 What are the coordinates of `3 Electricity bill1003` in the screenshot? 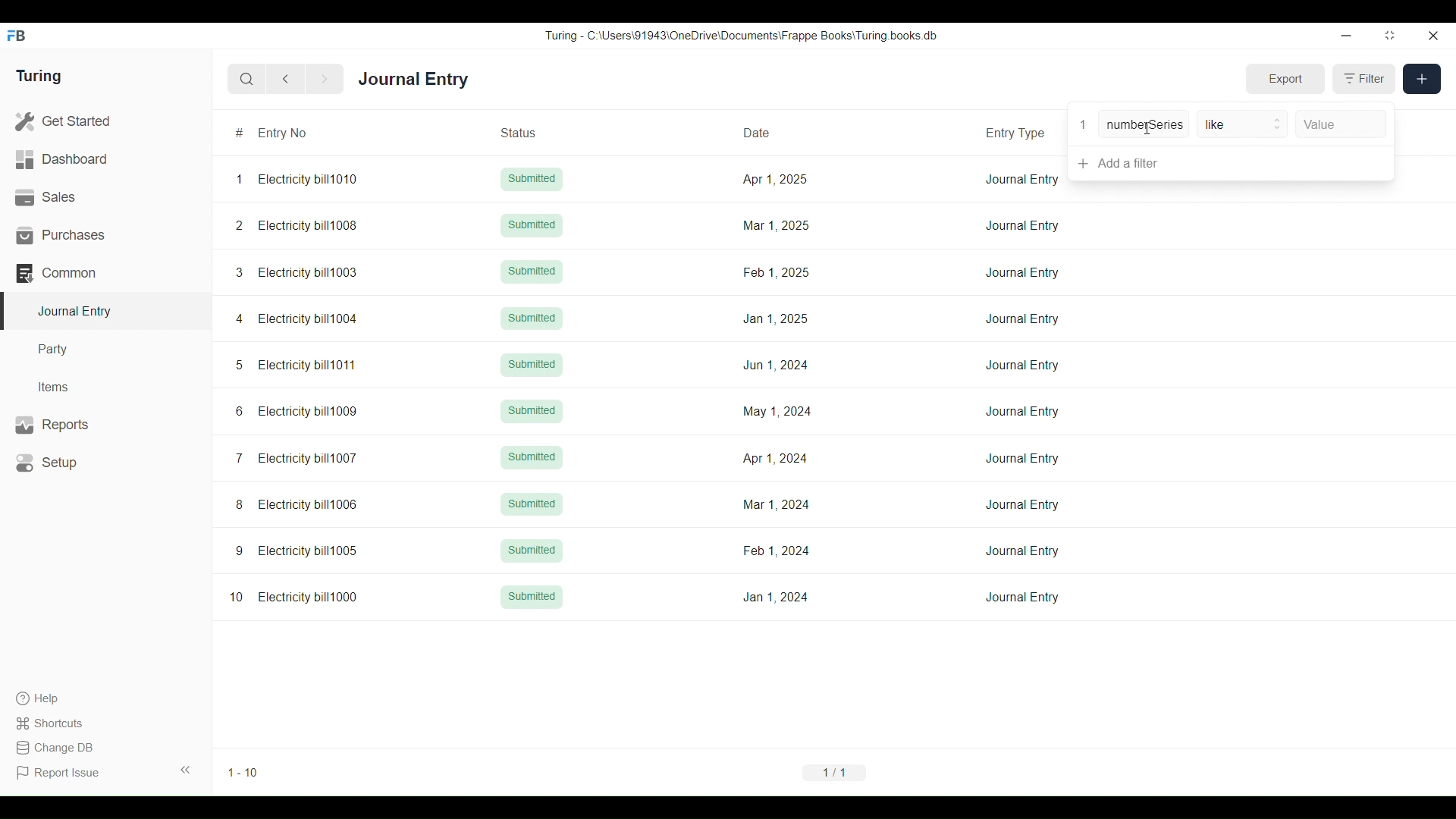 It's located at (297, 272).